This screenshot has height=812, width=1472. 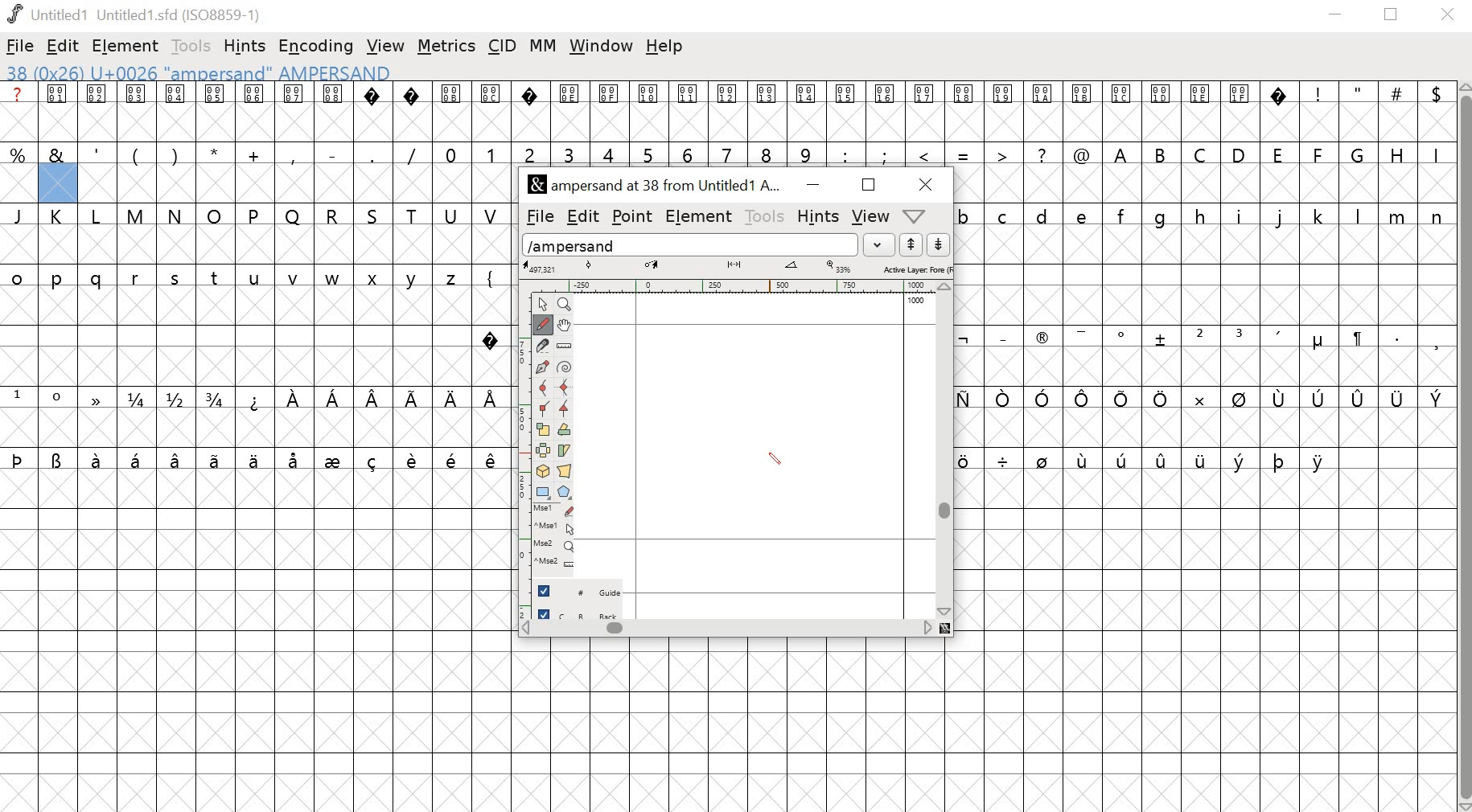 What do you see at coordinates (18, 276) in the screenshot?
I see `o` at bounding box center [18, 276].